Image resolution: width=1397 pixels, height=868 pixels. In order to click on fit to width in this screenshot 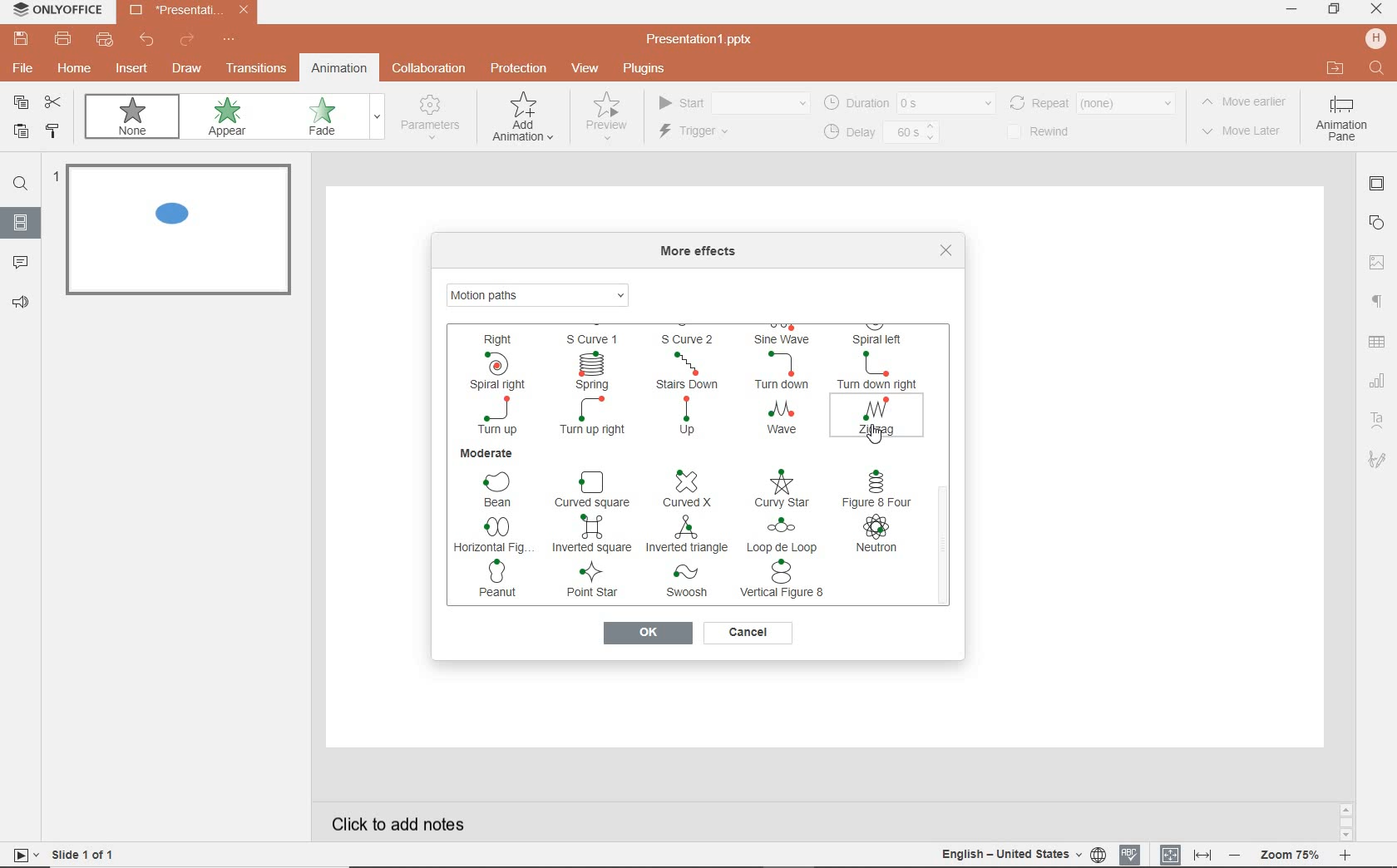, I will do `click(1204, 853)`.